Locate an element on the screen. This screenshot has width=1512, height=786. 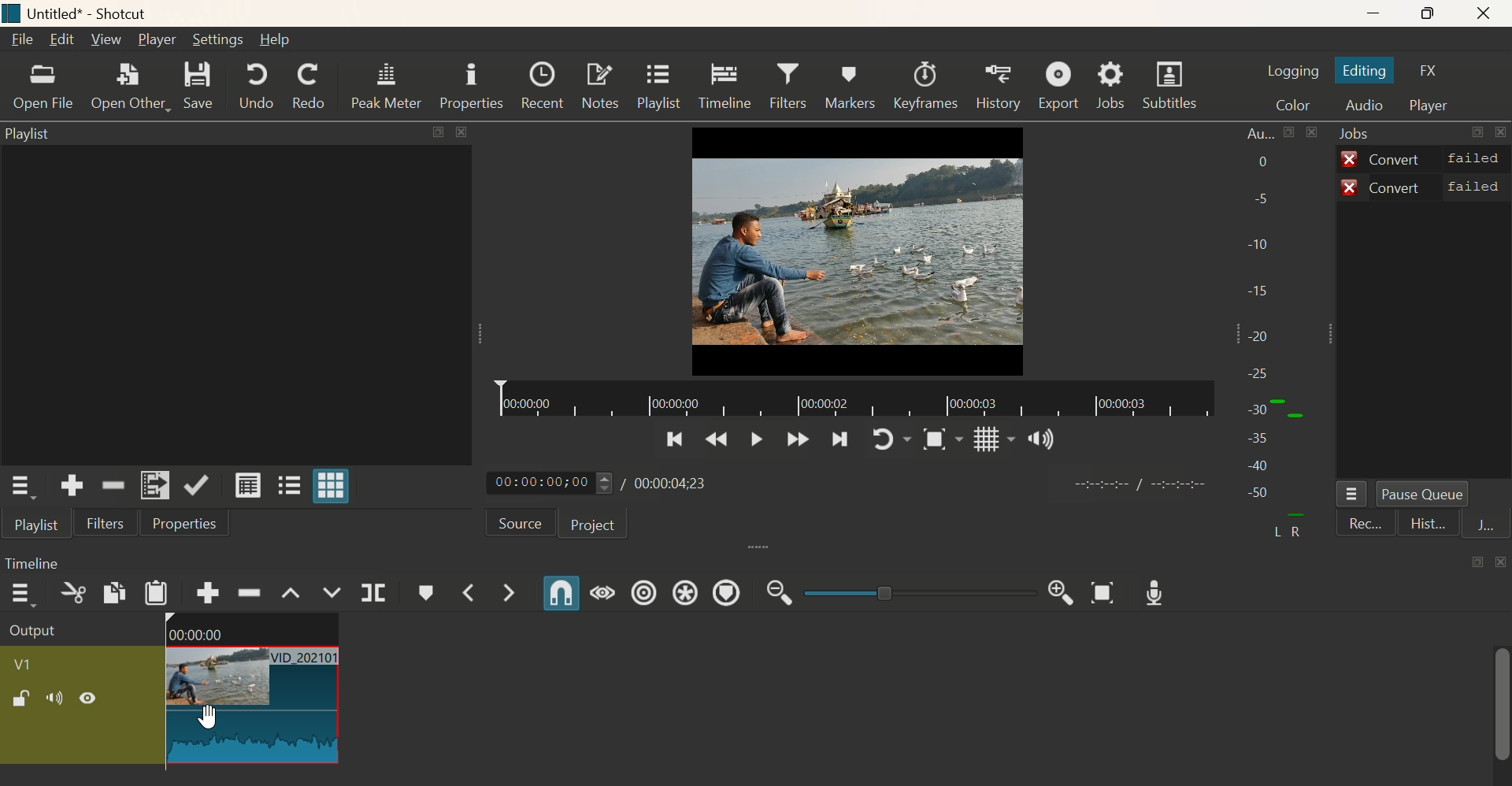
 is located at coordinates (1411, 495).